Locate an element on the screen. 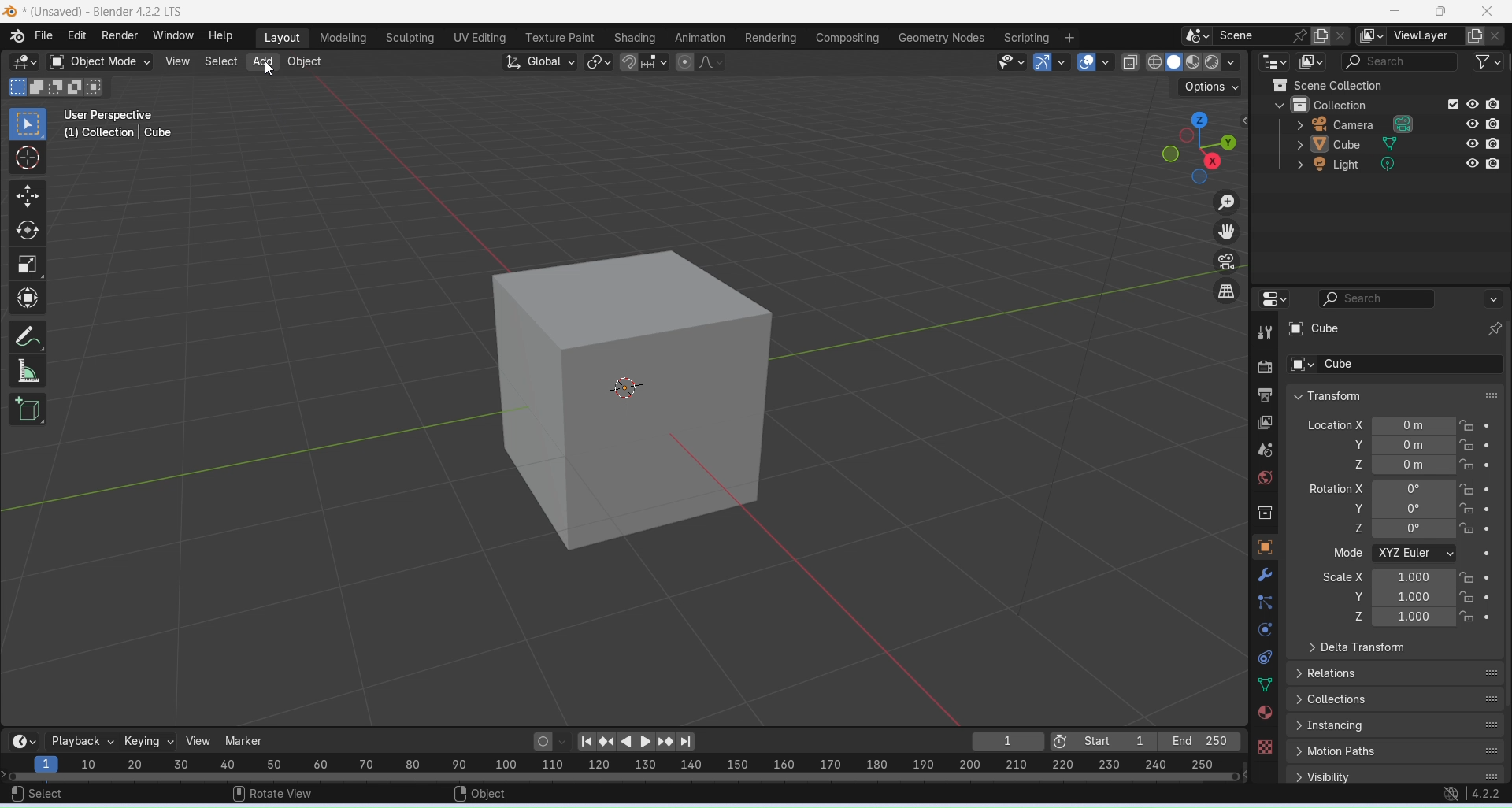 Image resolution: width=1512 pixels, height=808 pixels. ViewLayer is located at coordinates (1423, 36).